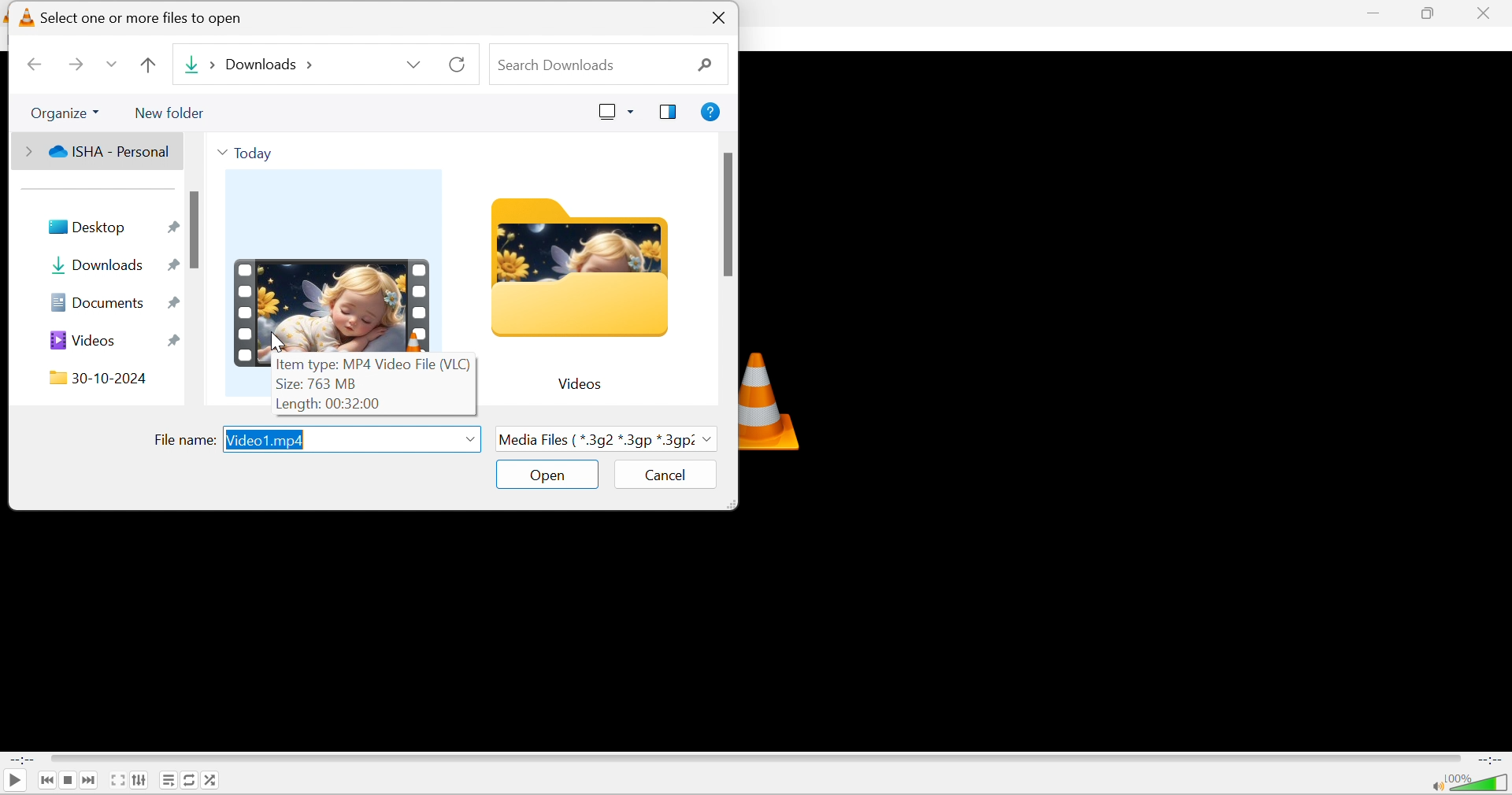  What do you see at coordinates (315, 383) in the screenshot?
I see `Size: 763 MB` at bounding box center [315, 383].